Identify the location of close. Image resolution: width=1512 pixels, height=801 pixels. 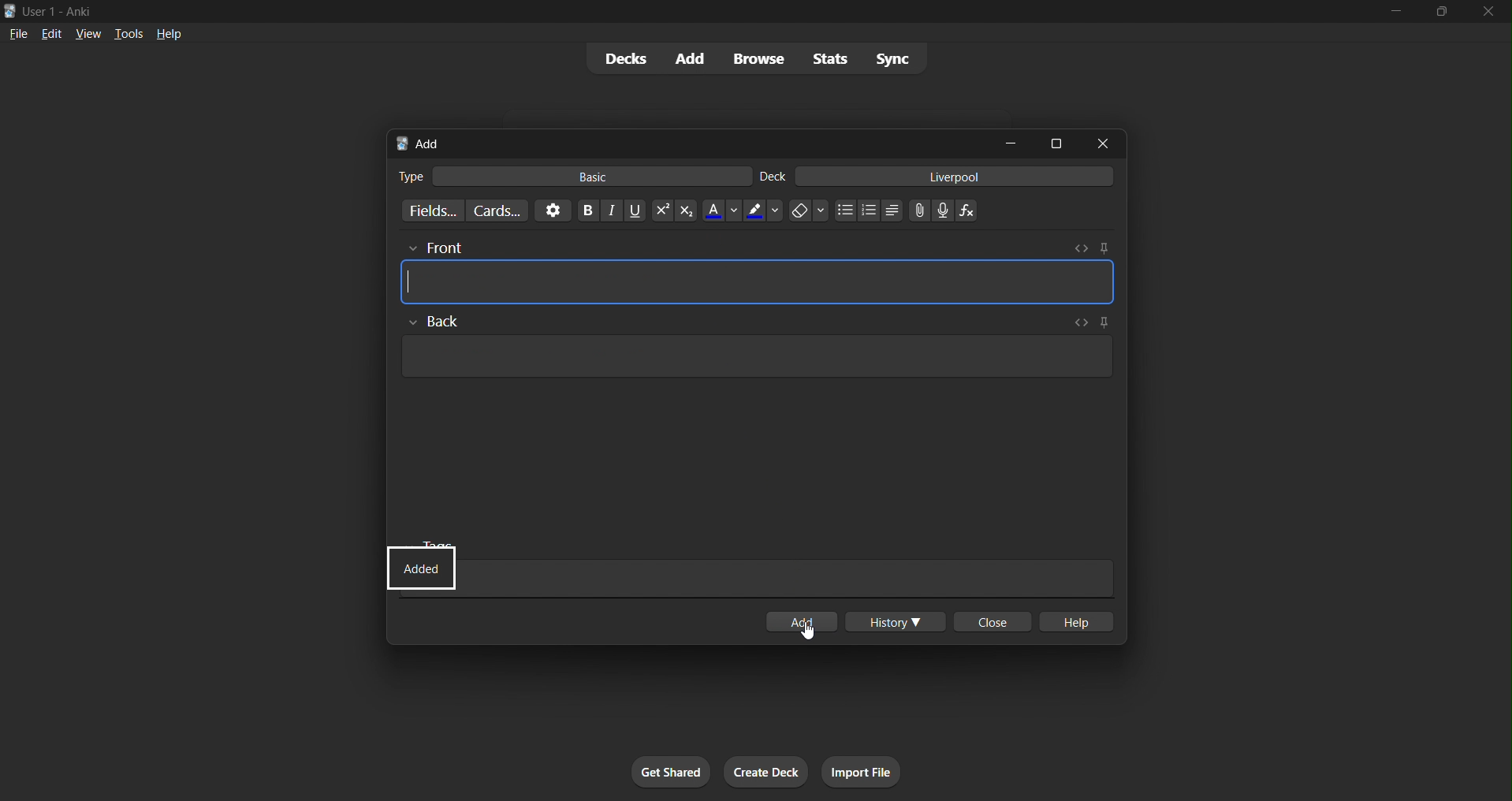
(992, 620).